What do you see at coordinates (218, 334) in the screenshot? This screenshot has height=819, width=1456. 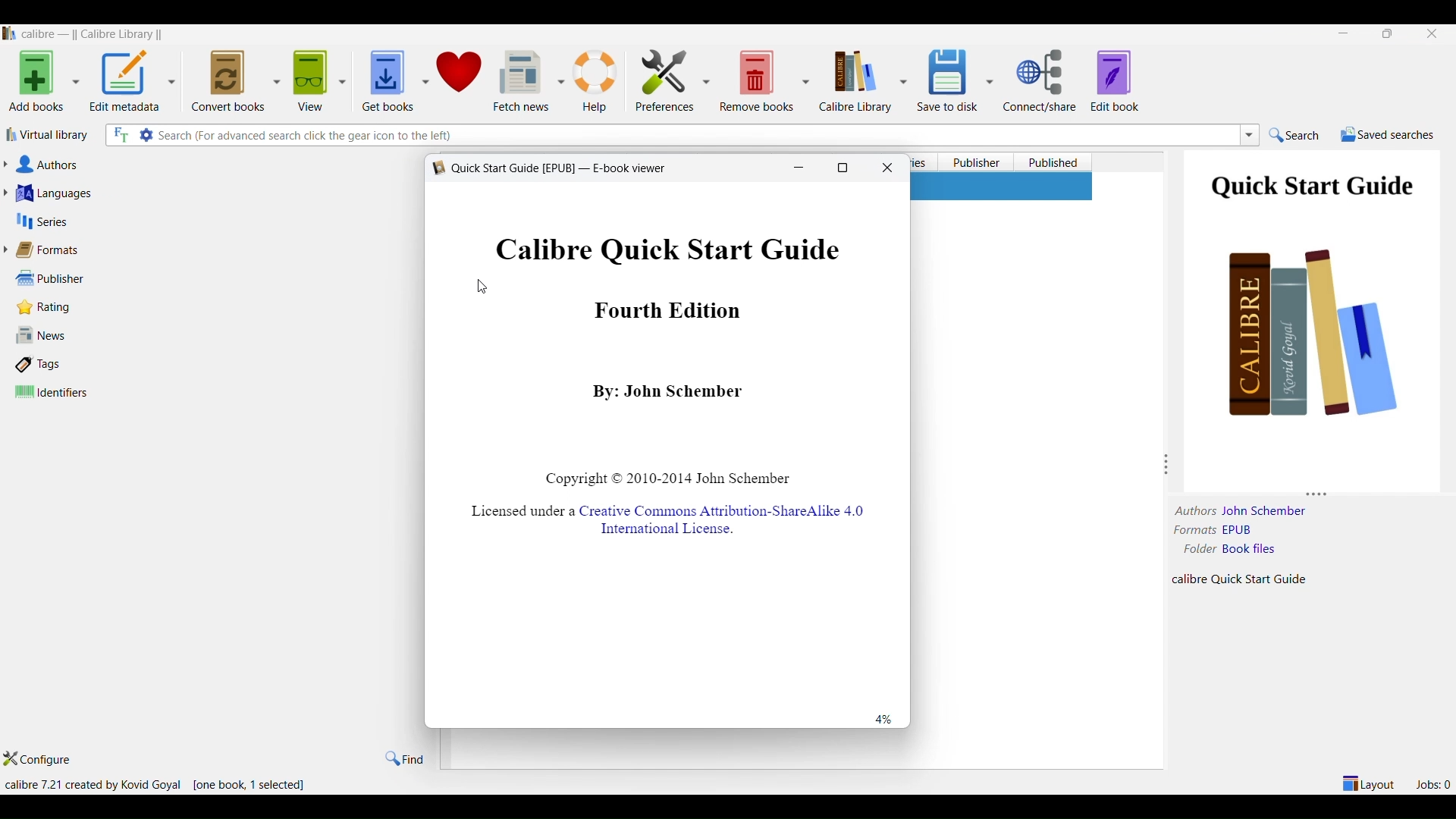 I see `news ` at bounding box center [218, 334].